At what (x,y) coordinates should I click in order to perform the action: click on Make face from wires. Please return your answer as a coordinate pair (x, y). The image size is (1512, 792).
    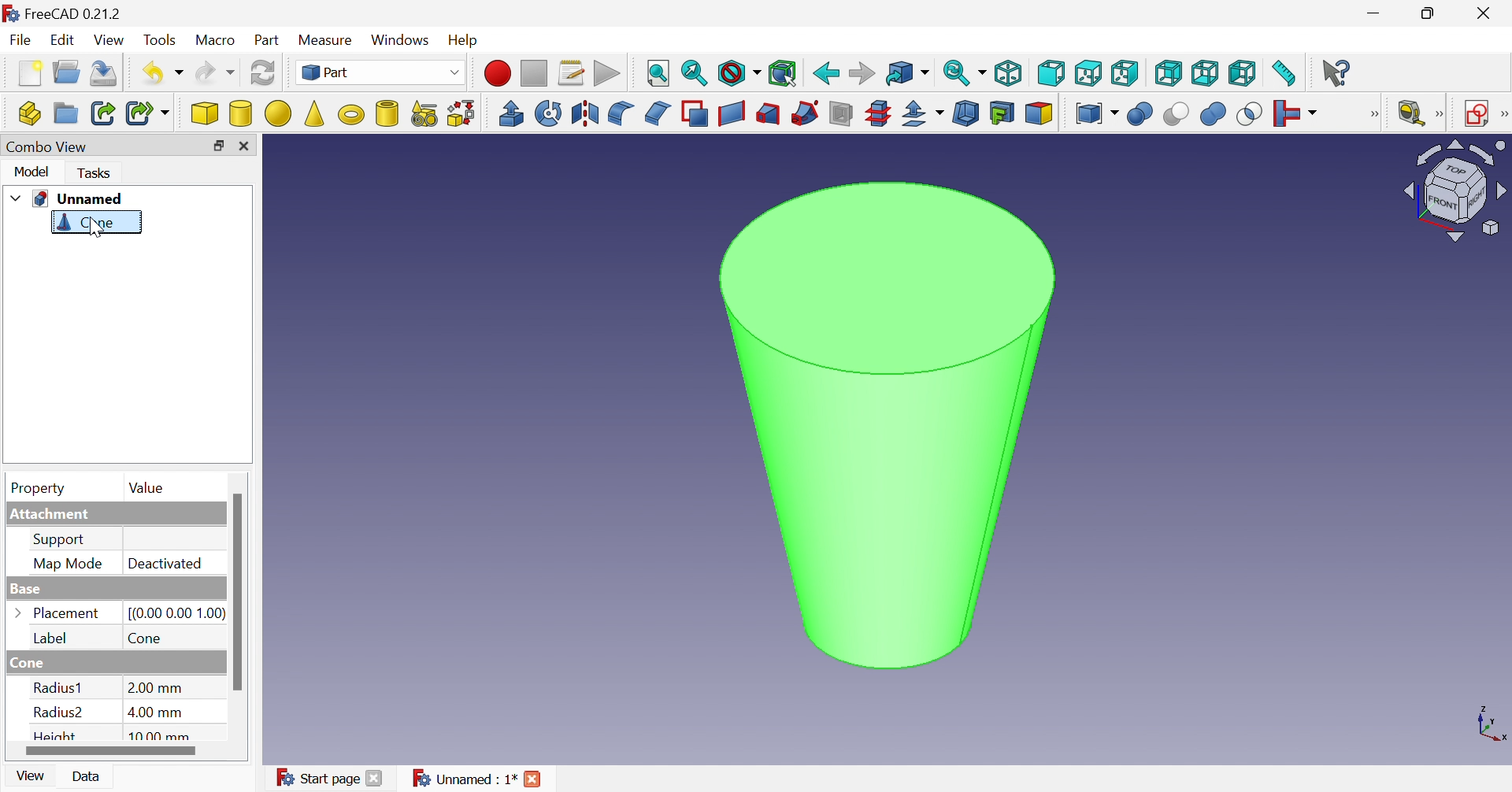
    Looking at the image, I should click on (696, 114).